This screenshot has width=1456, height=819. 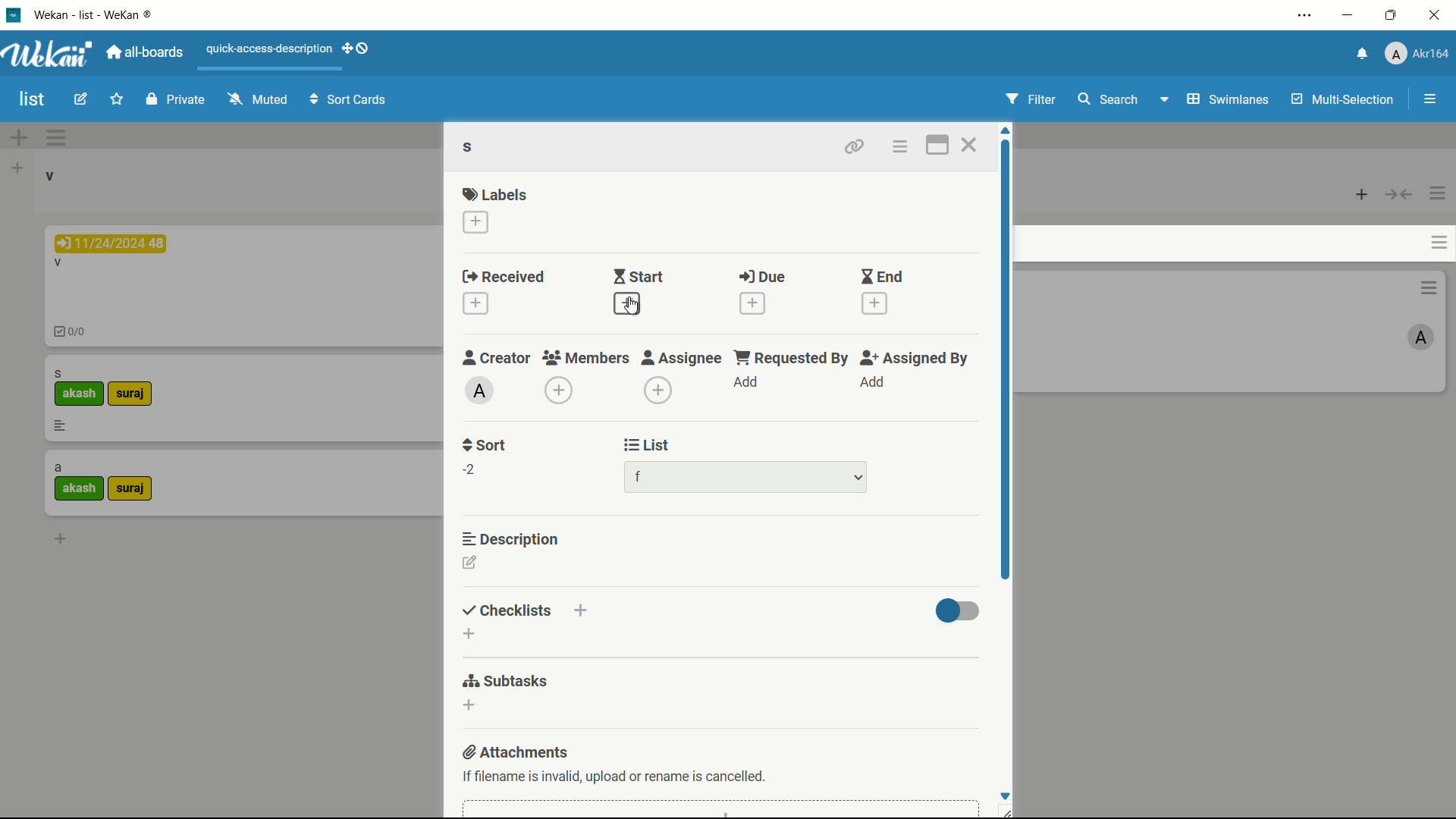 What do you see at coordinates (1391, 16) in the screenshot?
I see `maximize` at bounding box center [1391, 16].